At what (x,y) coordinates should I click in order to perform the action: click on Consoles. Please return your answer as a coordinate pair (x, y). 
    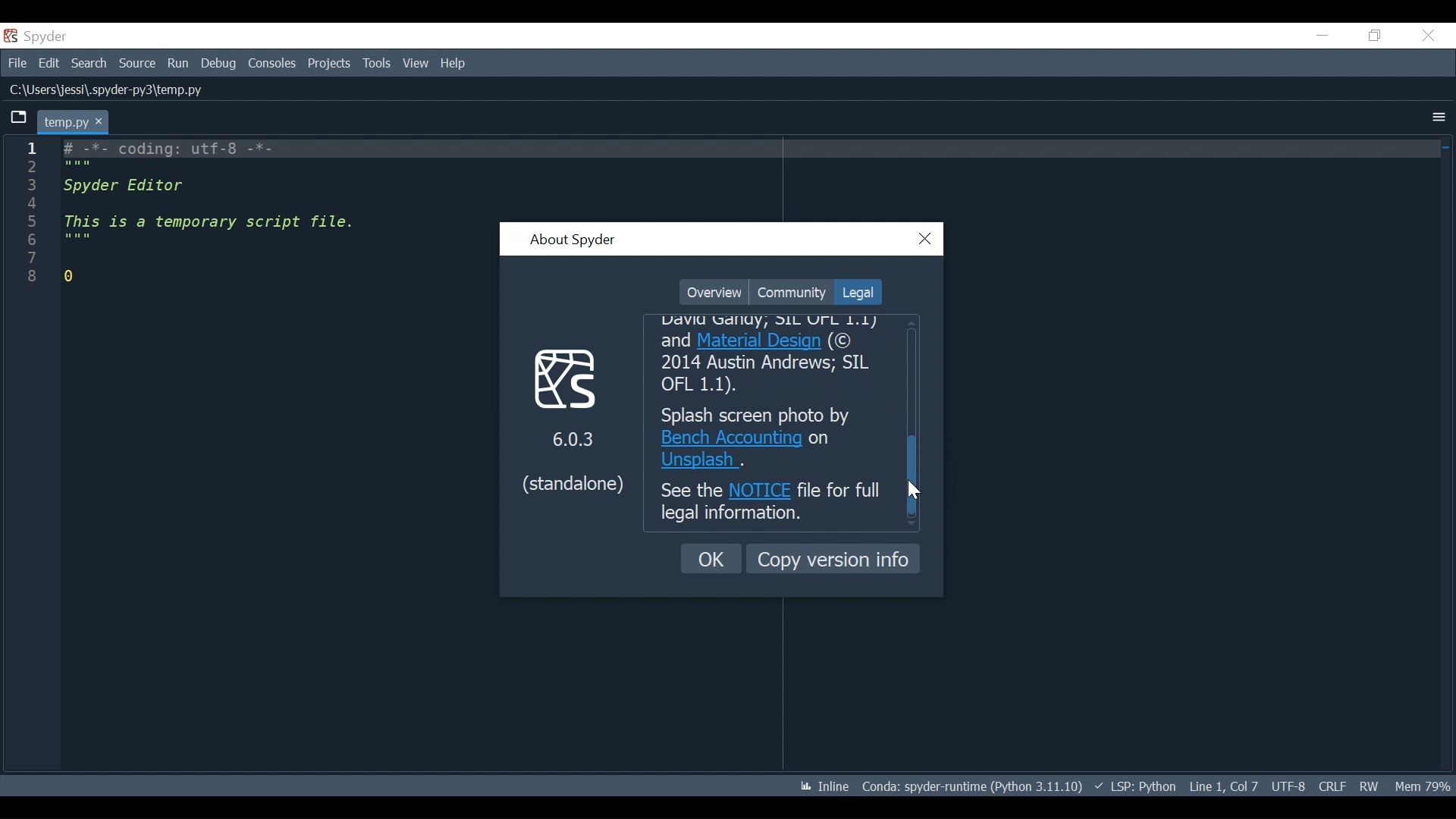
    Looking at the image, I should click on (271, 64).